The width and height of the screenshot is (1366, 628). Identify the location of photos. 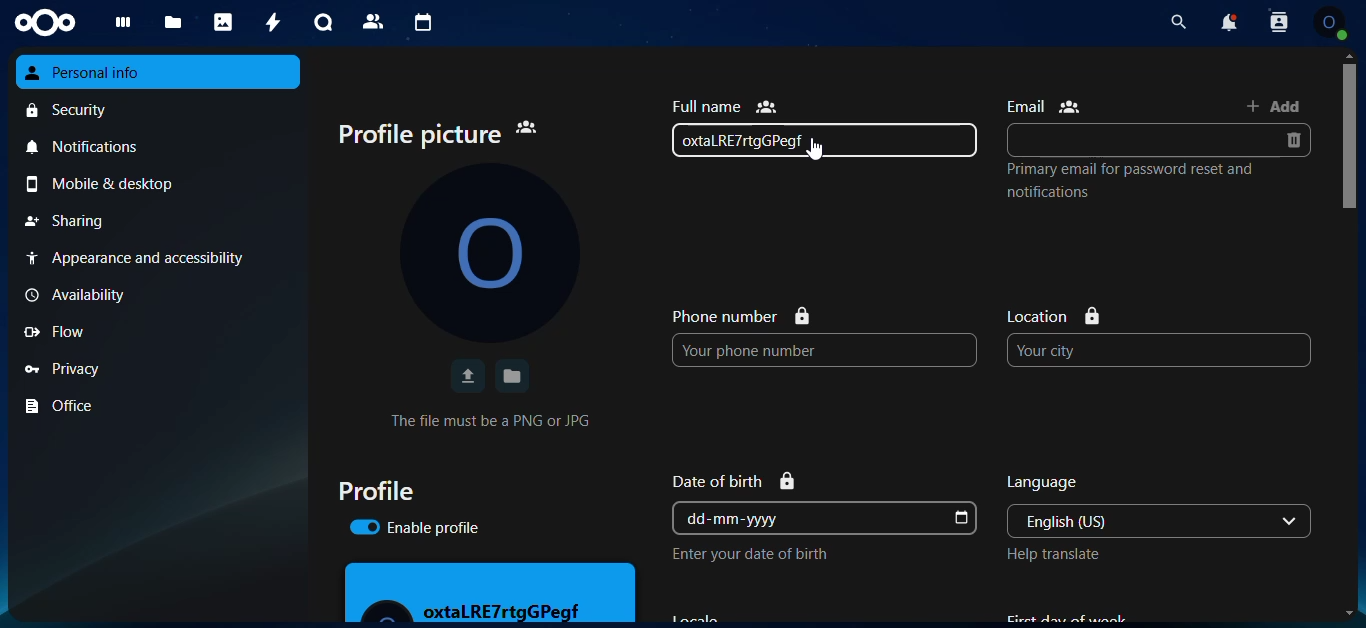
(221, 22).